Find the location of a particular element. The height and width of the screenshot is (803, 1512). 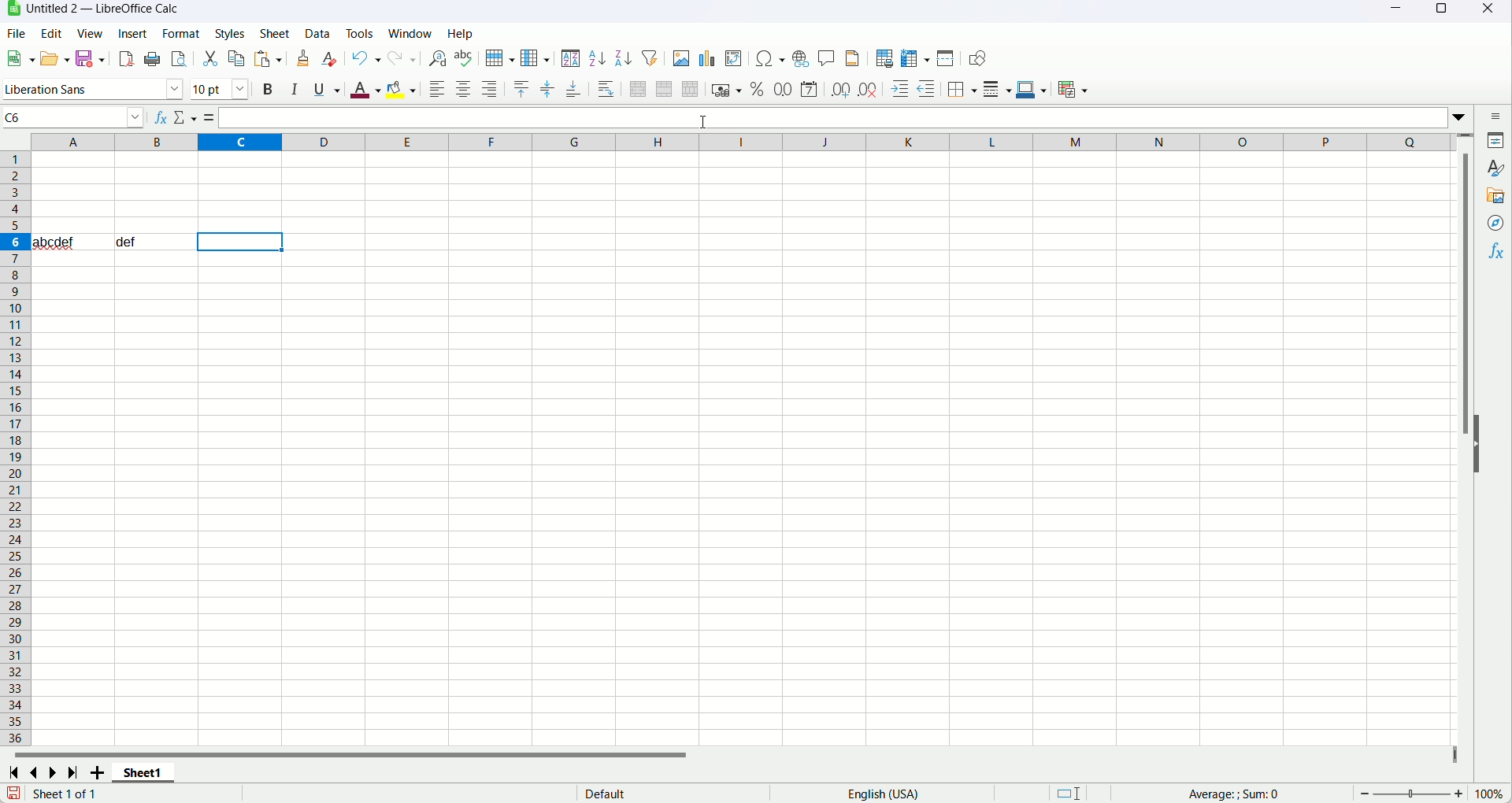

sort descending is located at coordinates (625, 57).